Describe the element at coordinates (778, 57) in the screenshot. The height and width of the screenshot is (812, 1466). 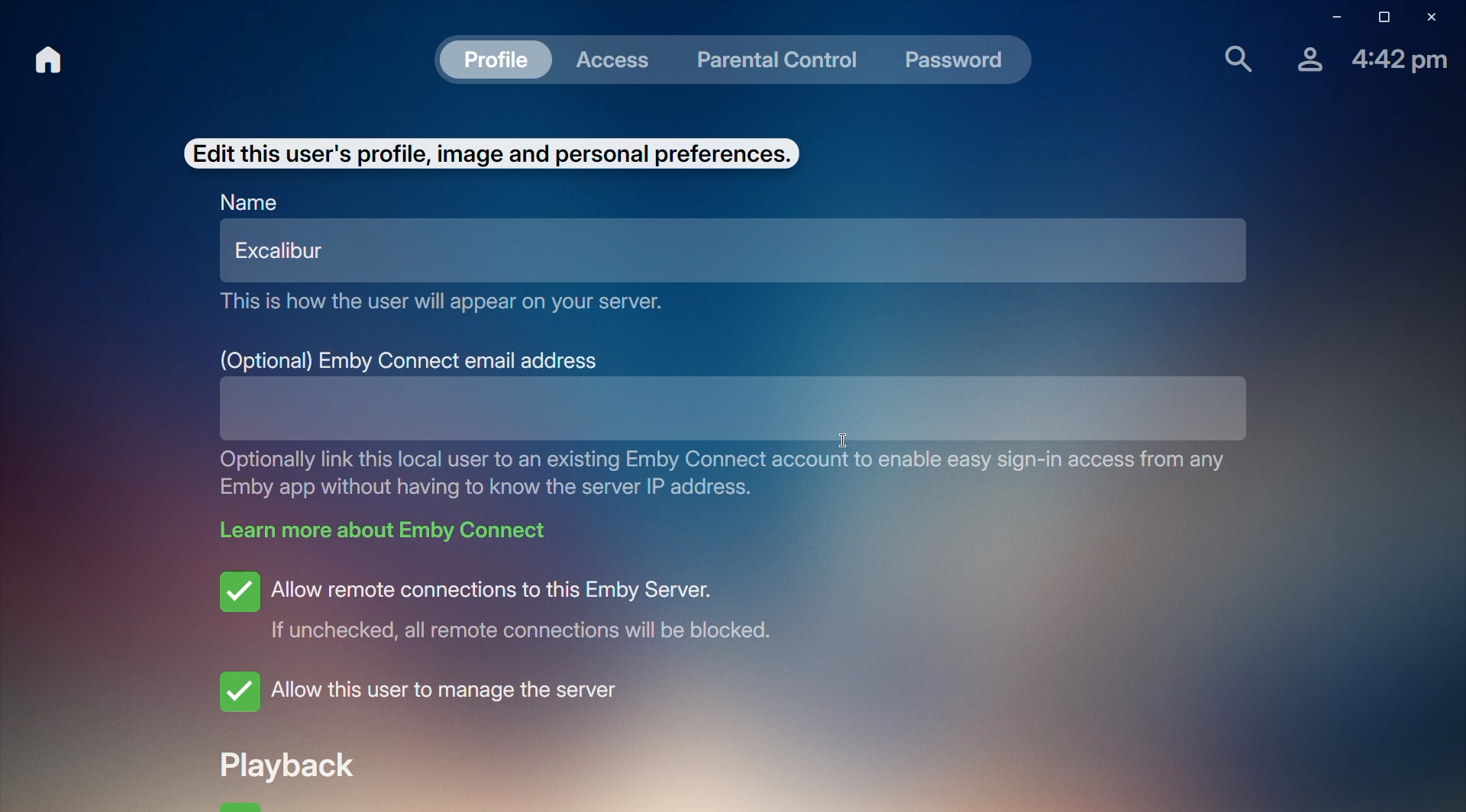
I see `Parental Control` at that location.